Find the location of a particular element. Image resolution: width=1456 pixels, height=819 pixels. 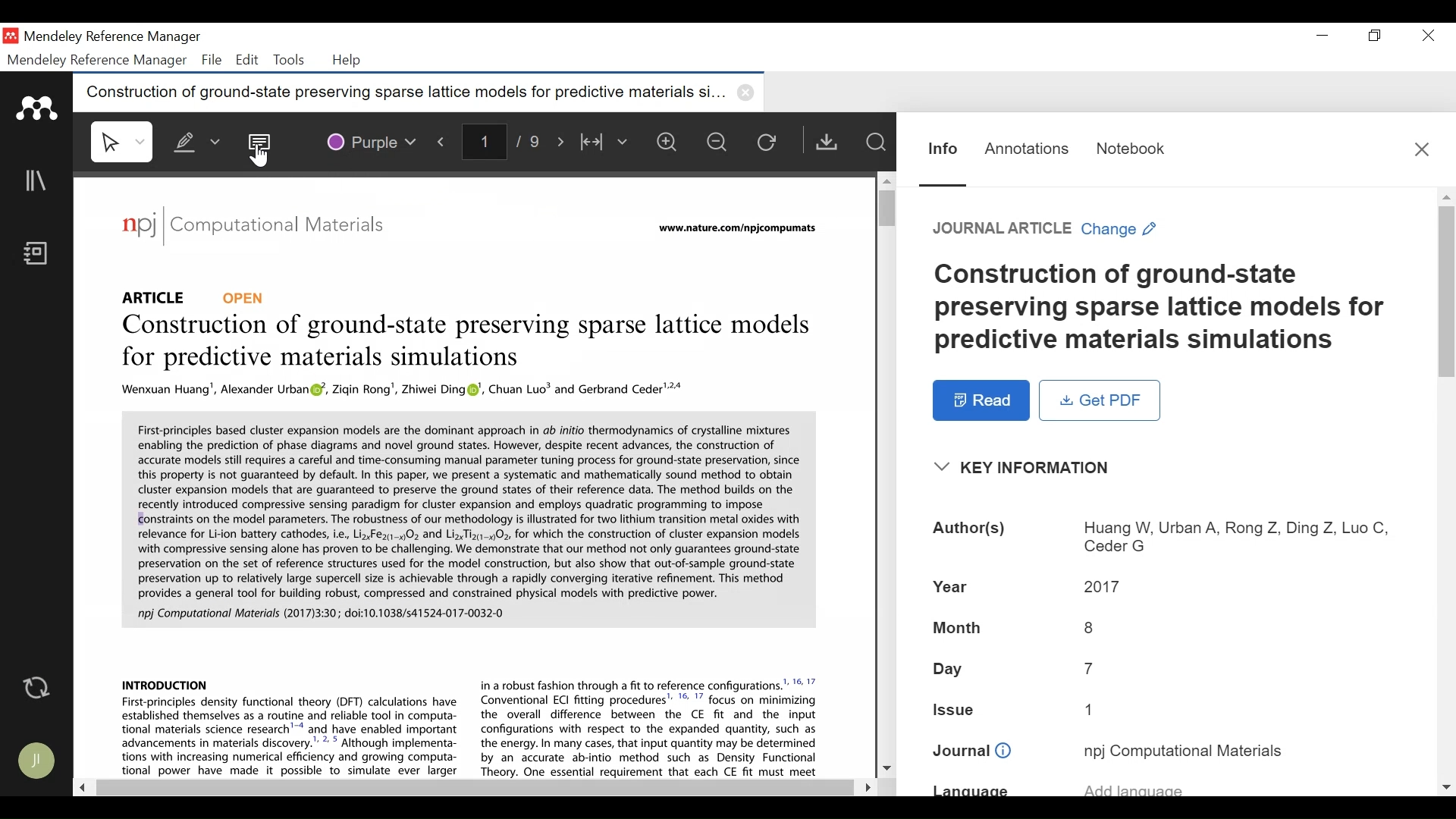

Reload is located at coordinates (773, 144).